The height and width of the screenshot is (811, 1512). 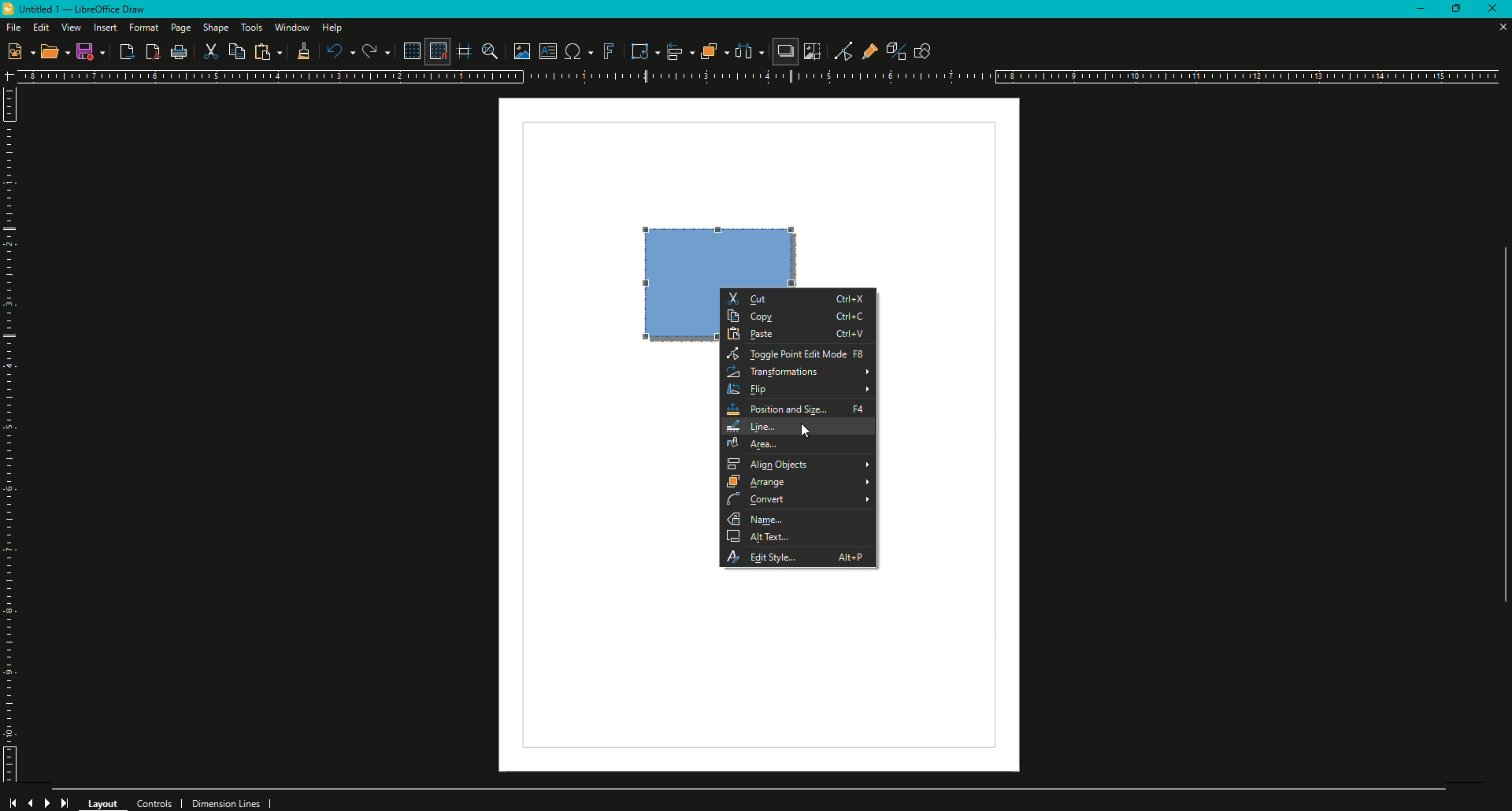 What do you see at coordinates (716, 255) in the screenshot?
I see `Square` at bounding box center [716, 255].